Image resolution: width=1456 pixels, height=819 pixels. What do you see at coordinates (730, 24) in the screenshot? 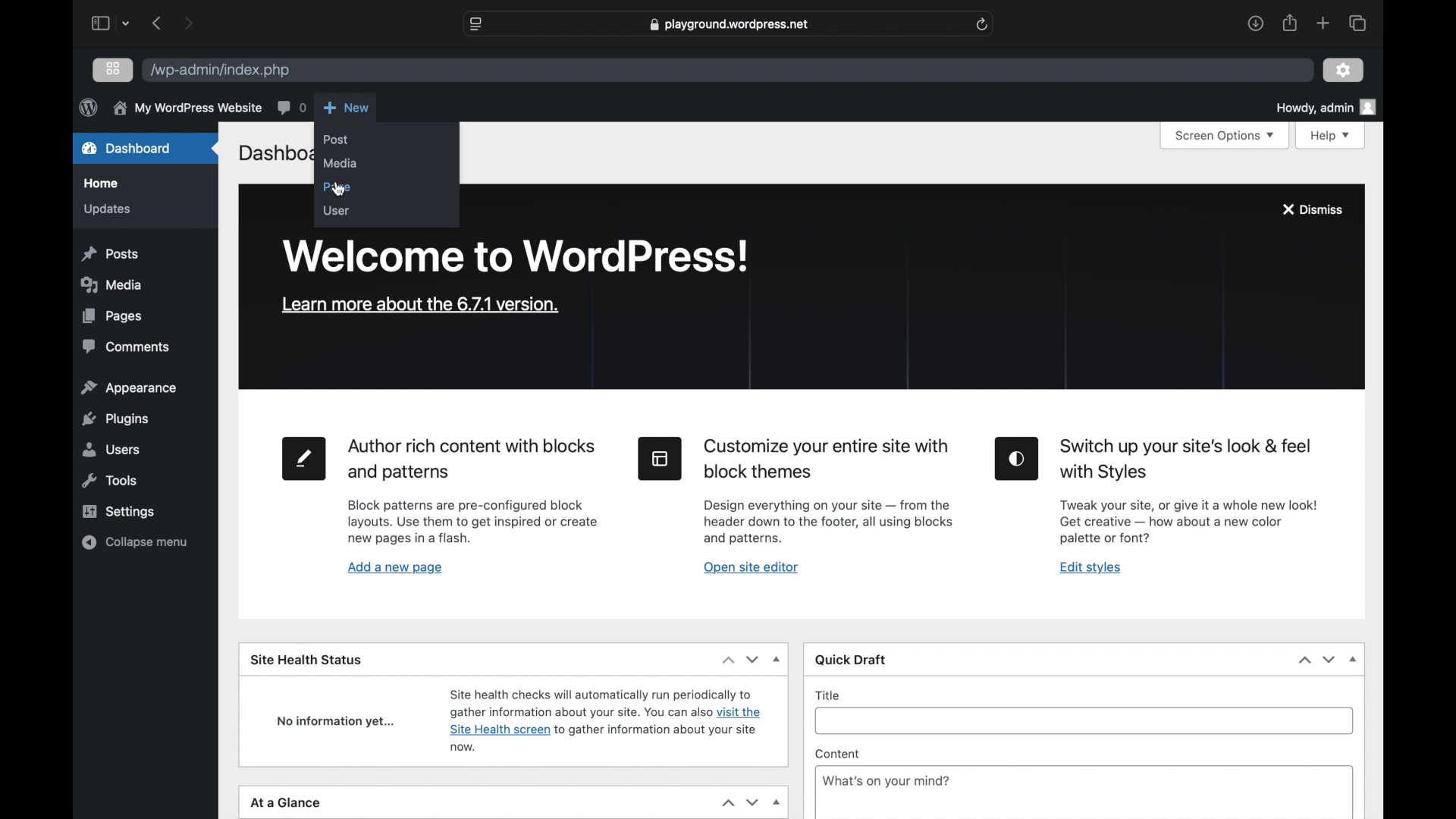
I see `web address` at bounding box center [730, 24].